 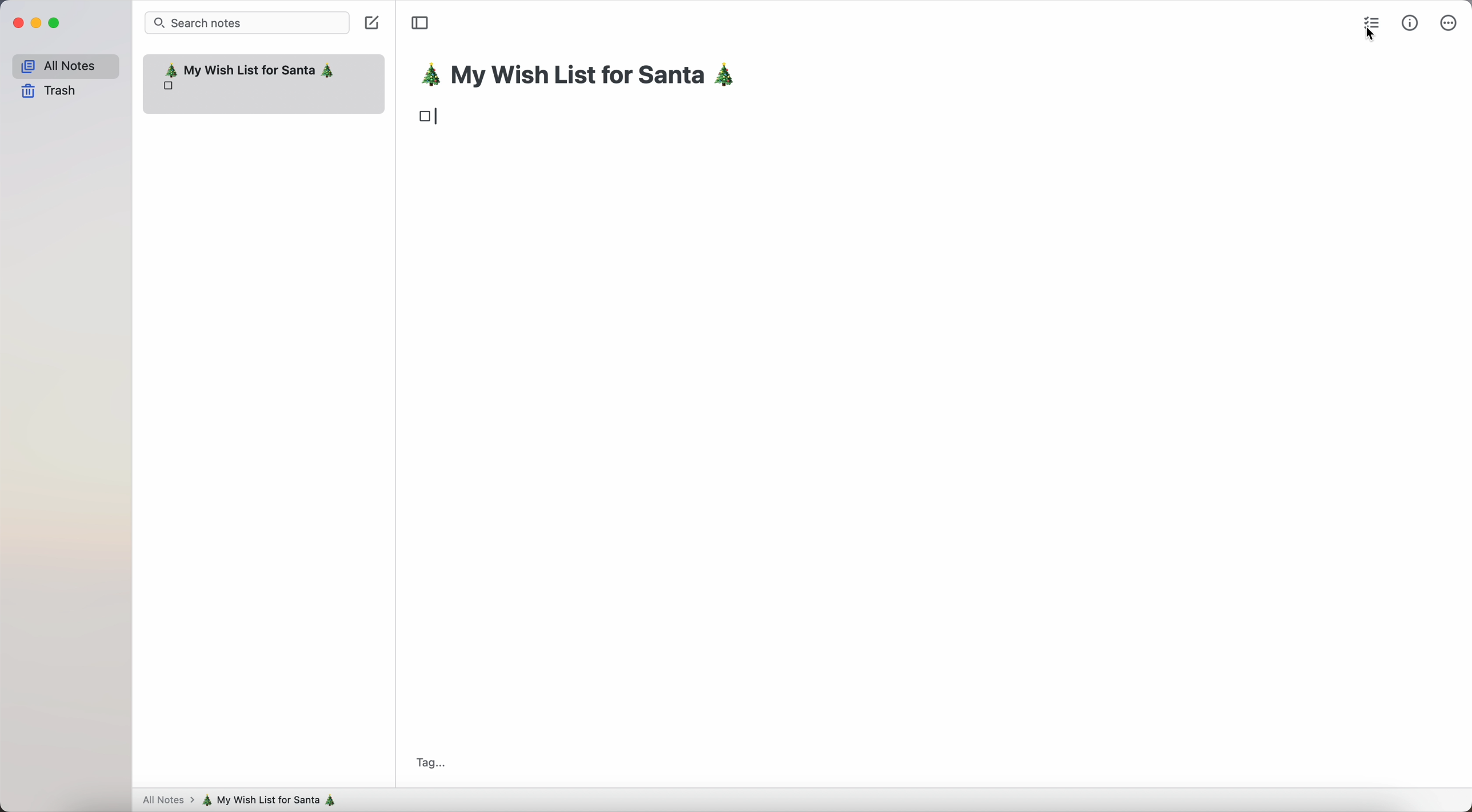 I want to click on metrics, so click(x=1410, y=22).